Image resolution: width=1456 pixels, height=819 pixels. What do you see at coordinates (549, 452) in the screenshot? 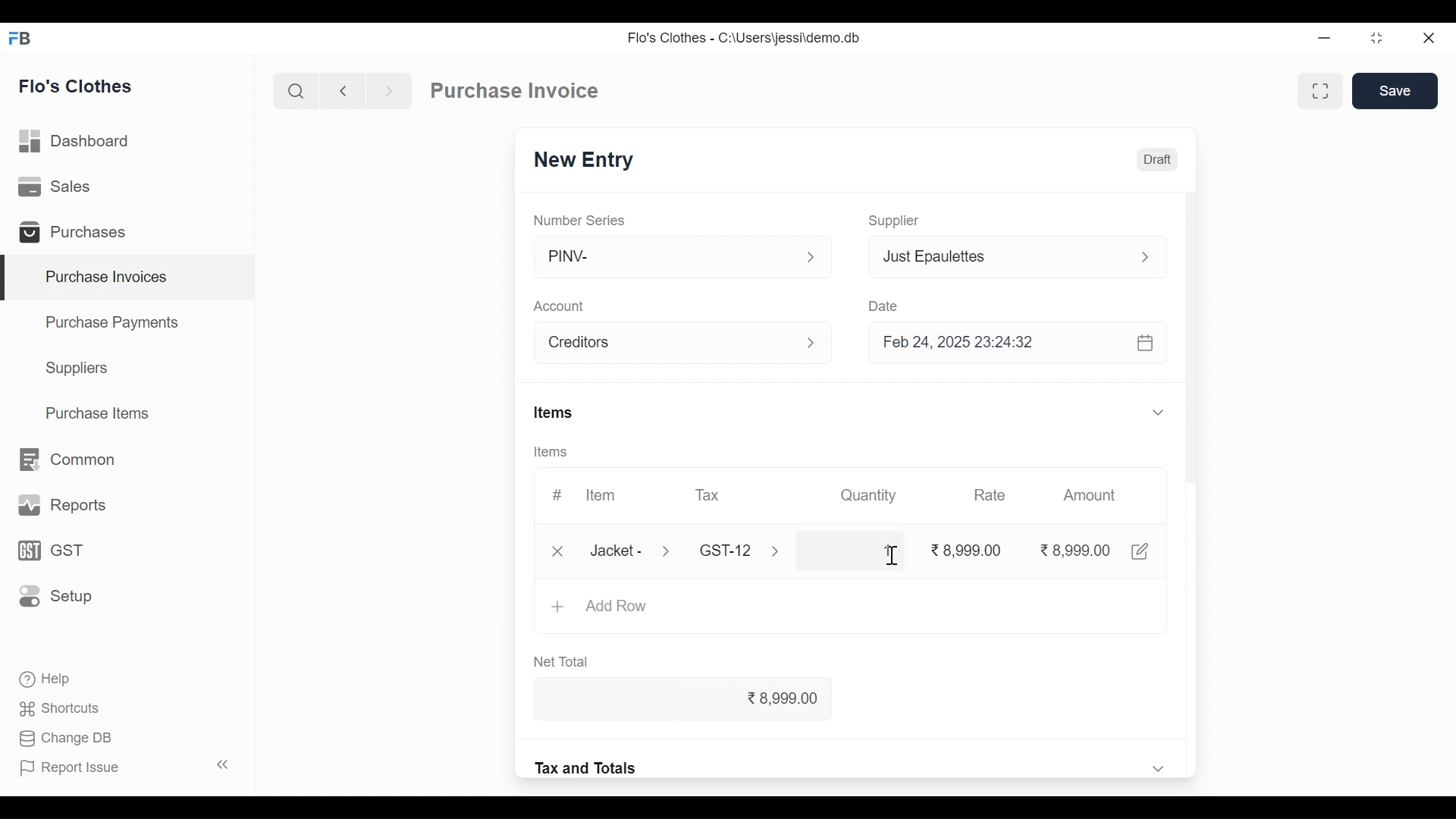
I see `Items` at bounding box center [549, 452].